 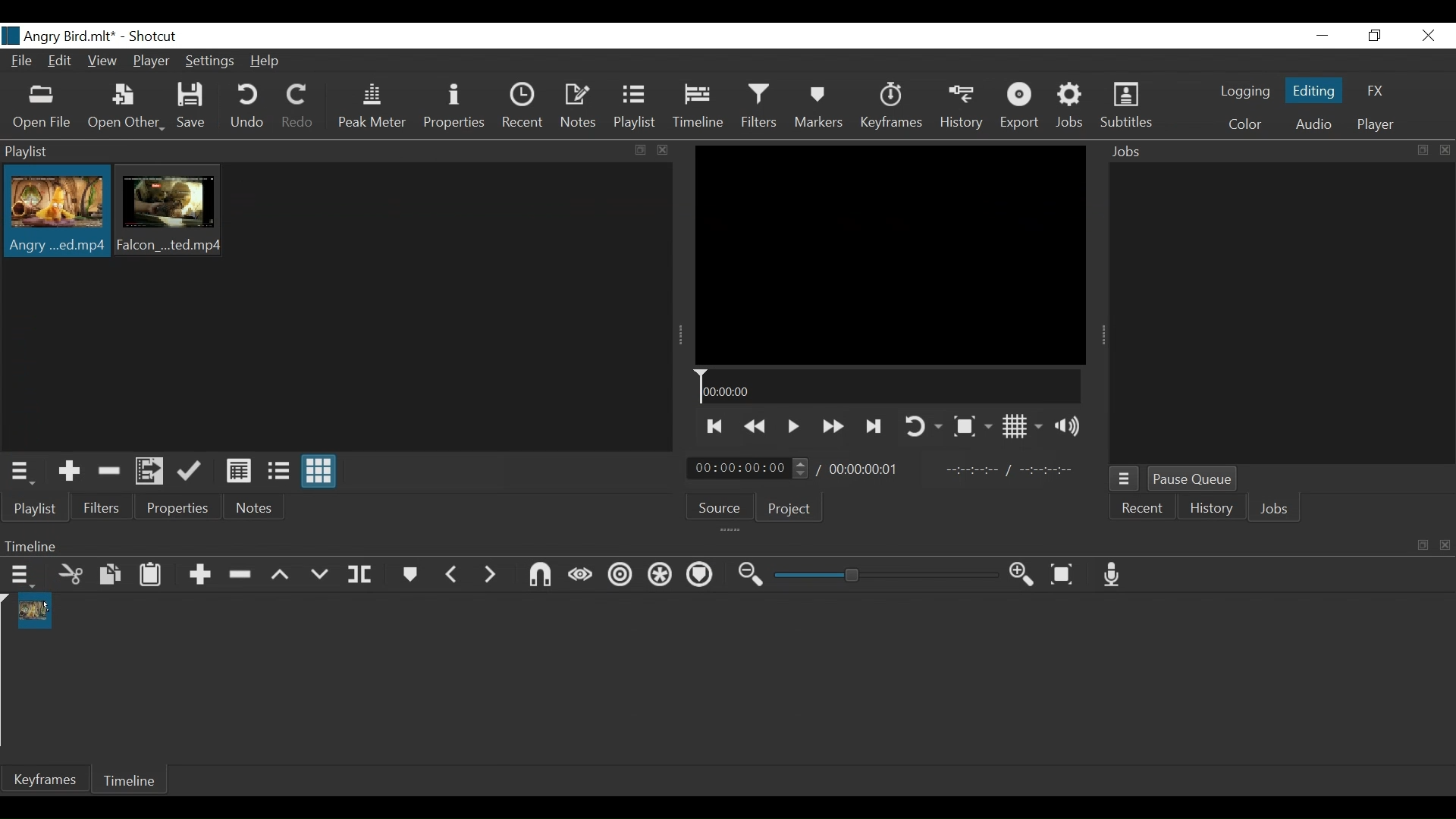 What do you see at coordinates (821, 108) in the screenshot?
I see `Markers` at bounding box center [821, 108].